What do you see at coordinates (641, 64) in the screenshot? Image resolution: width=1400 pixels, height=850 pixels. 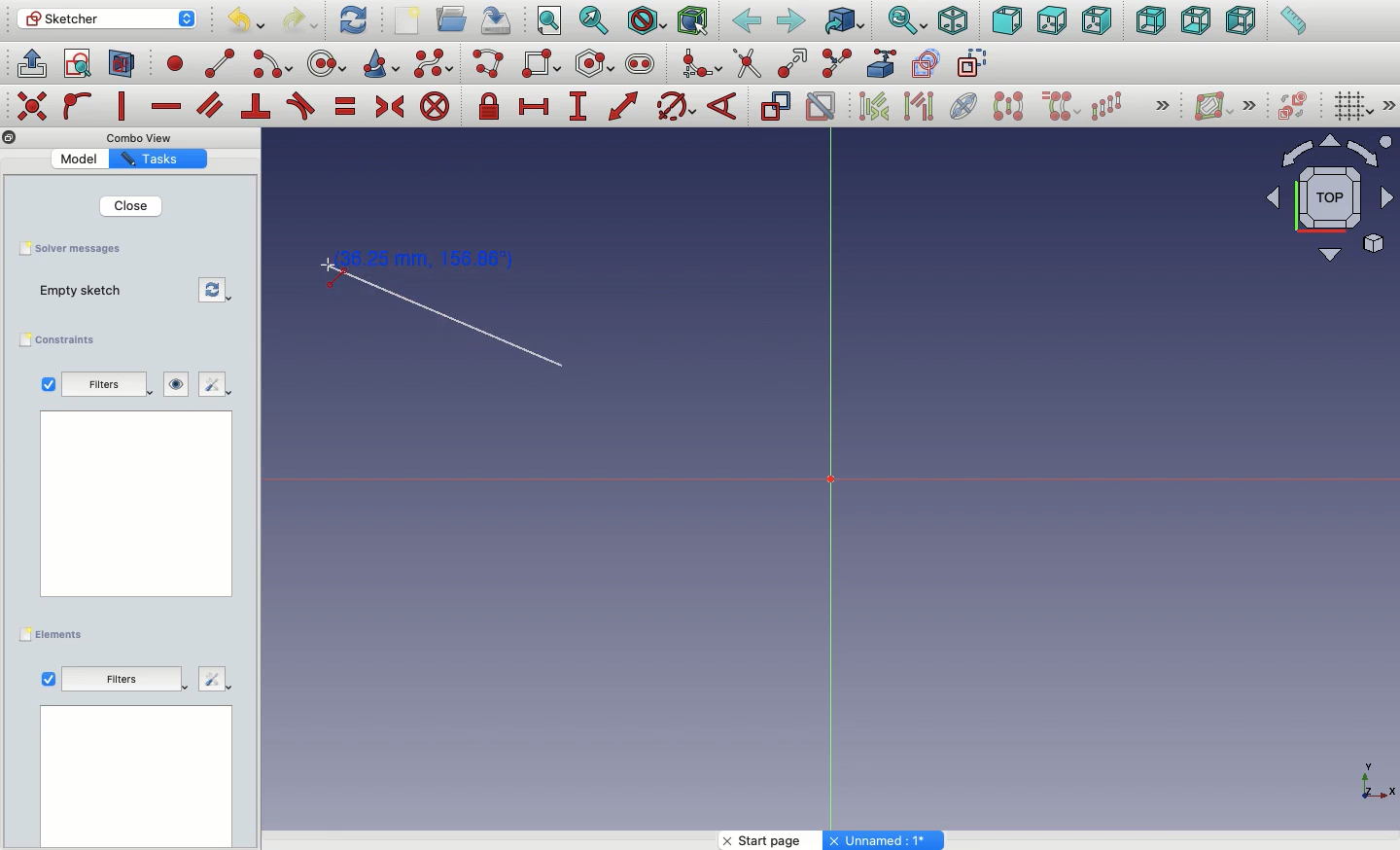 I see `Slot` at bounding box center [641, 64].